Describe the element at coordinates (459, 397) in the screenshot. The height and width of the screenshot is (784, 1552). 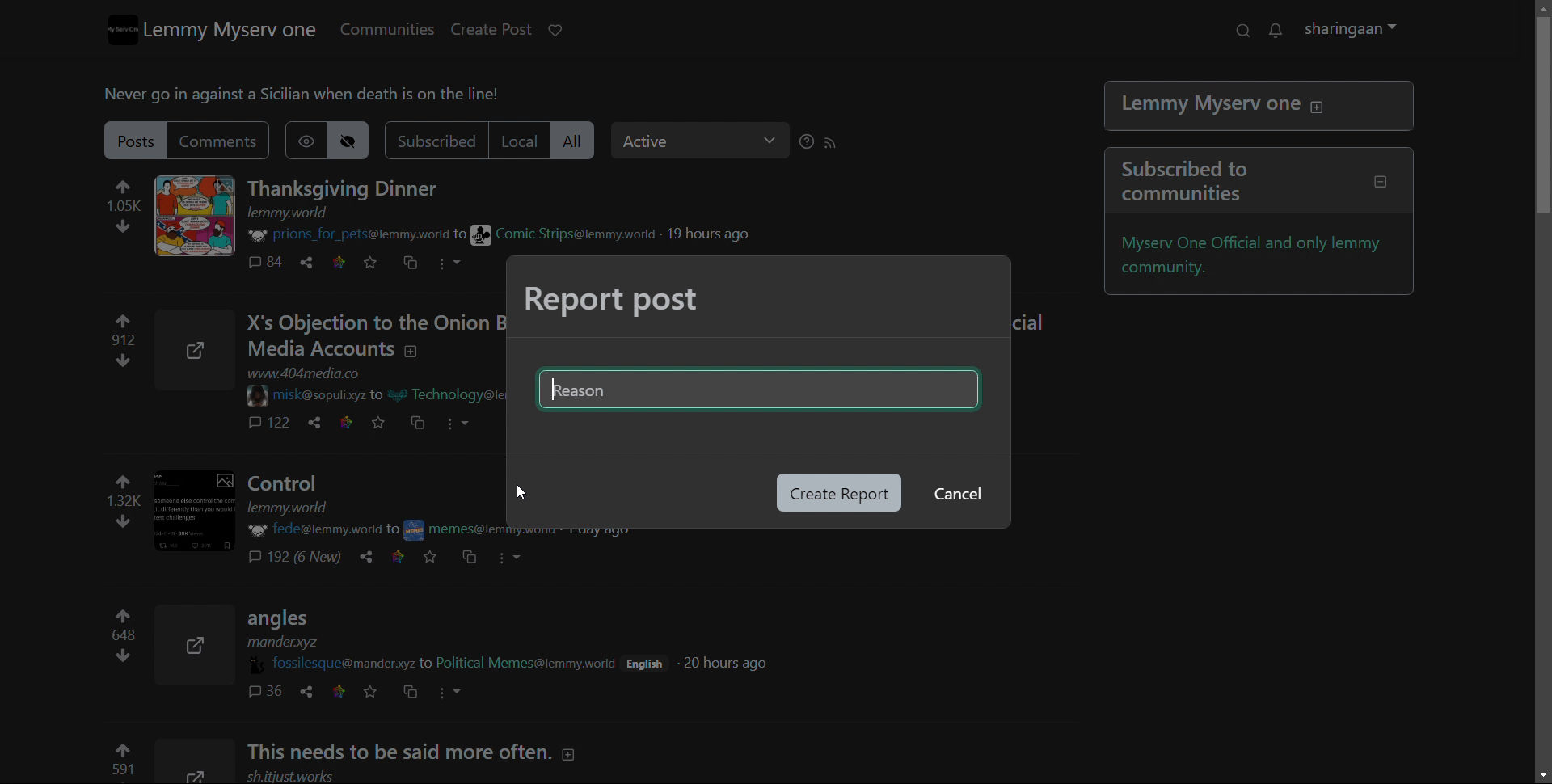
I see `Community` at that location.